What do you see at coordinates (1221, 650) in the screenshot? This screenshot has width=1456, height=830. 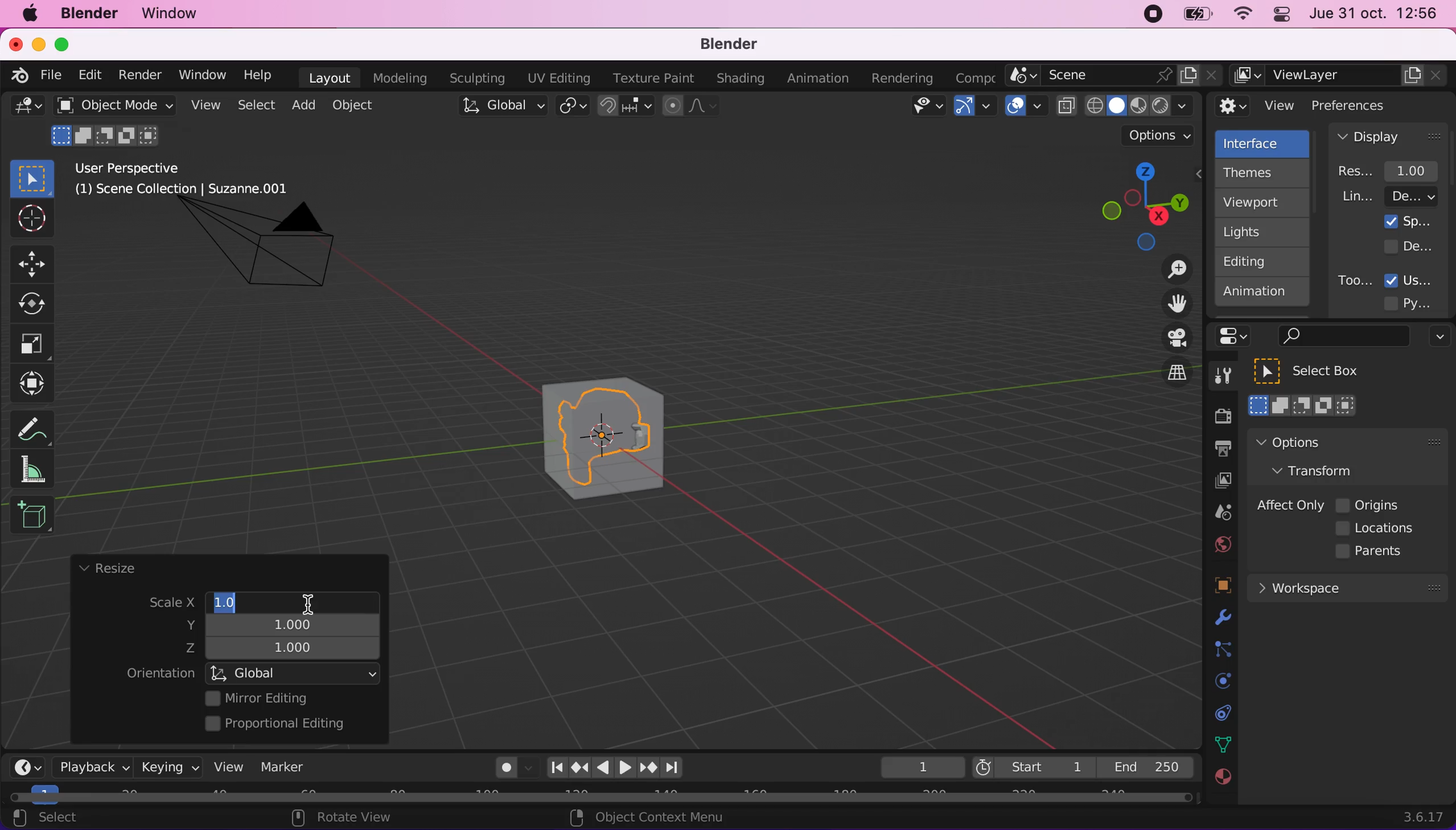 I see `constraints` at bounding box center [1221, 650].